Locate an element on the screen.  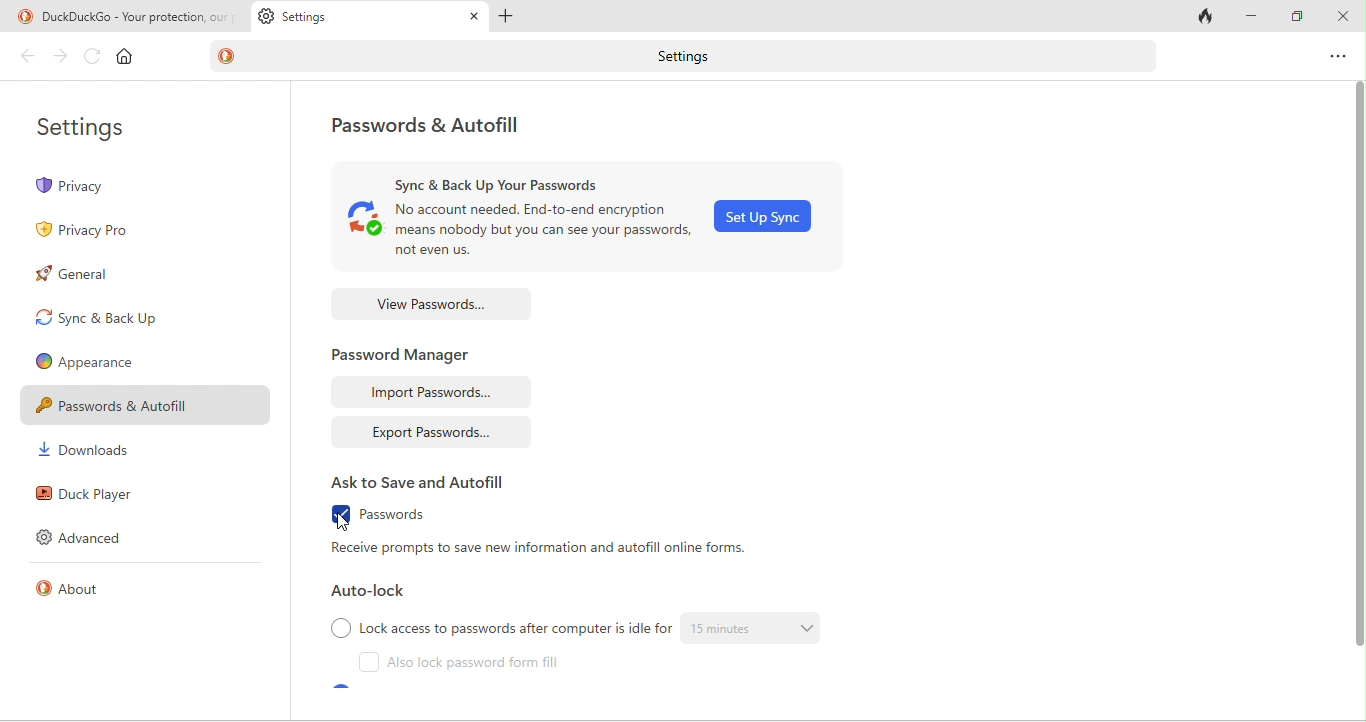
receive prompts to save new information and autofill online forms is located at coordinates (548, 551).